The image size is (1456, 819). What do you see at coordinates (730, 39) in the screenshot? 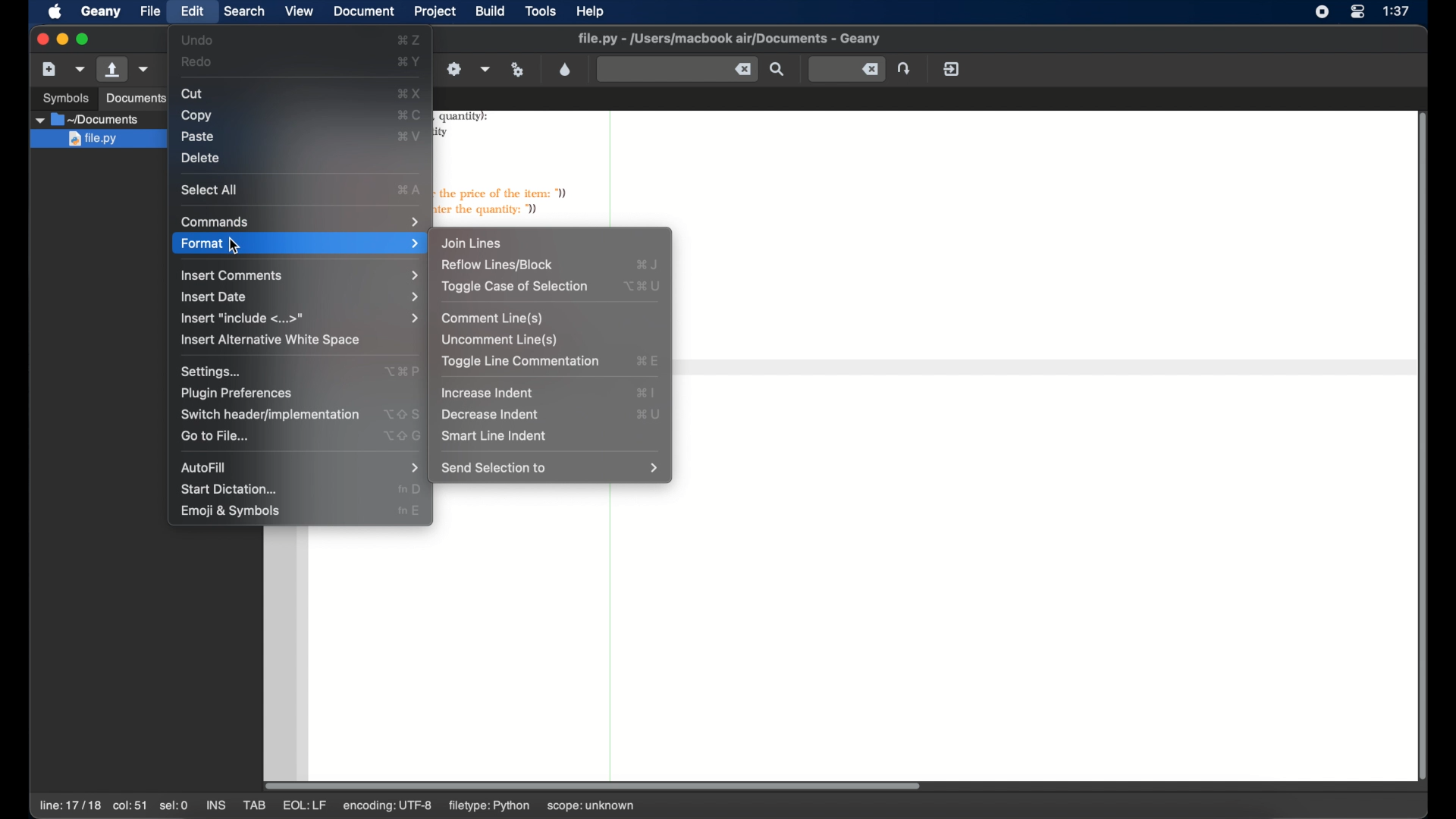
I see `filename` at bounding box center [730, 39].